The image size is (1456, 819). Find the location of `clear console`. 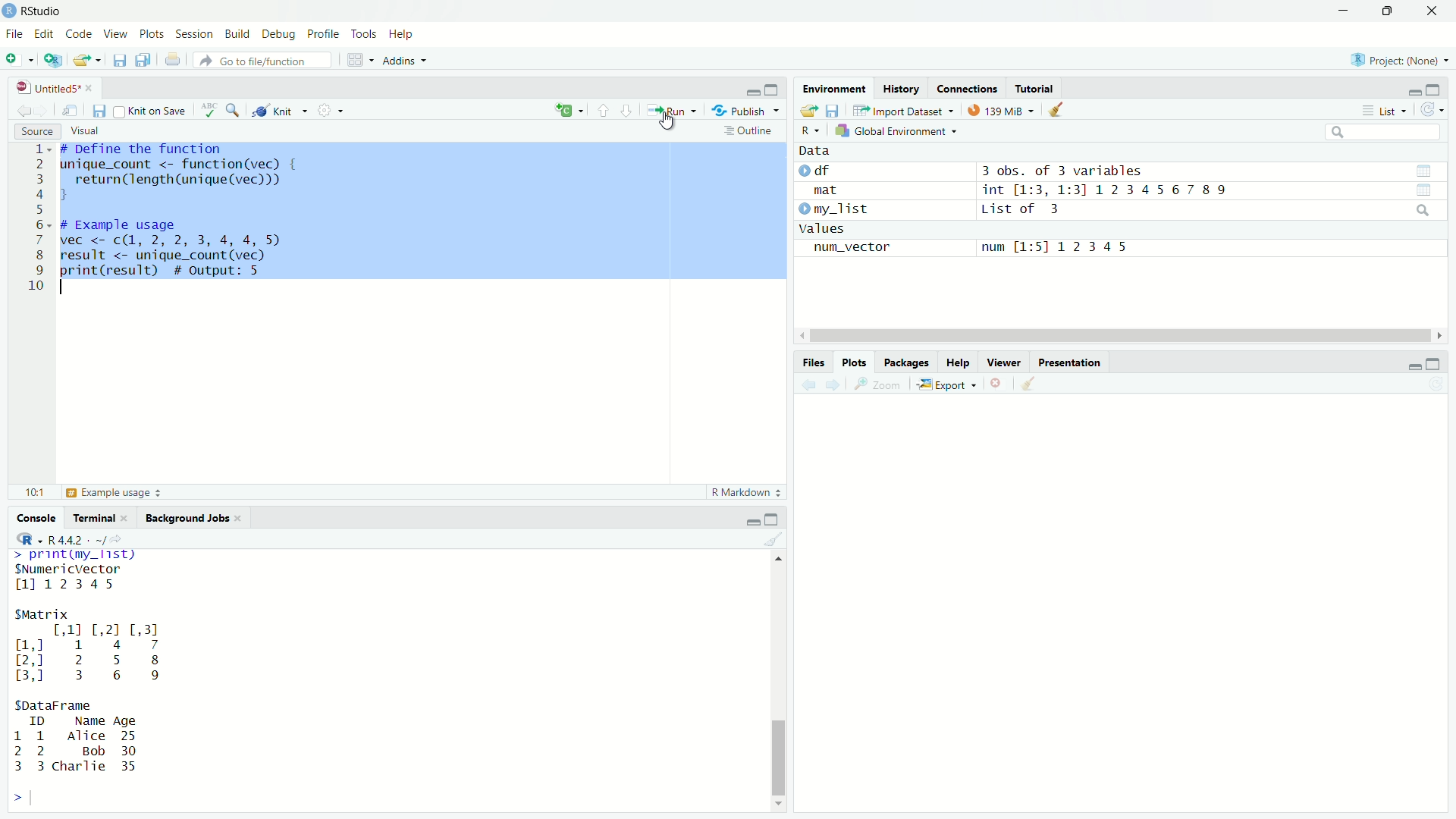

clear console is located at coordinates (772, 541).